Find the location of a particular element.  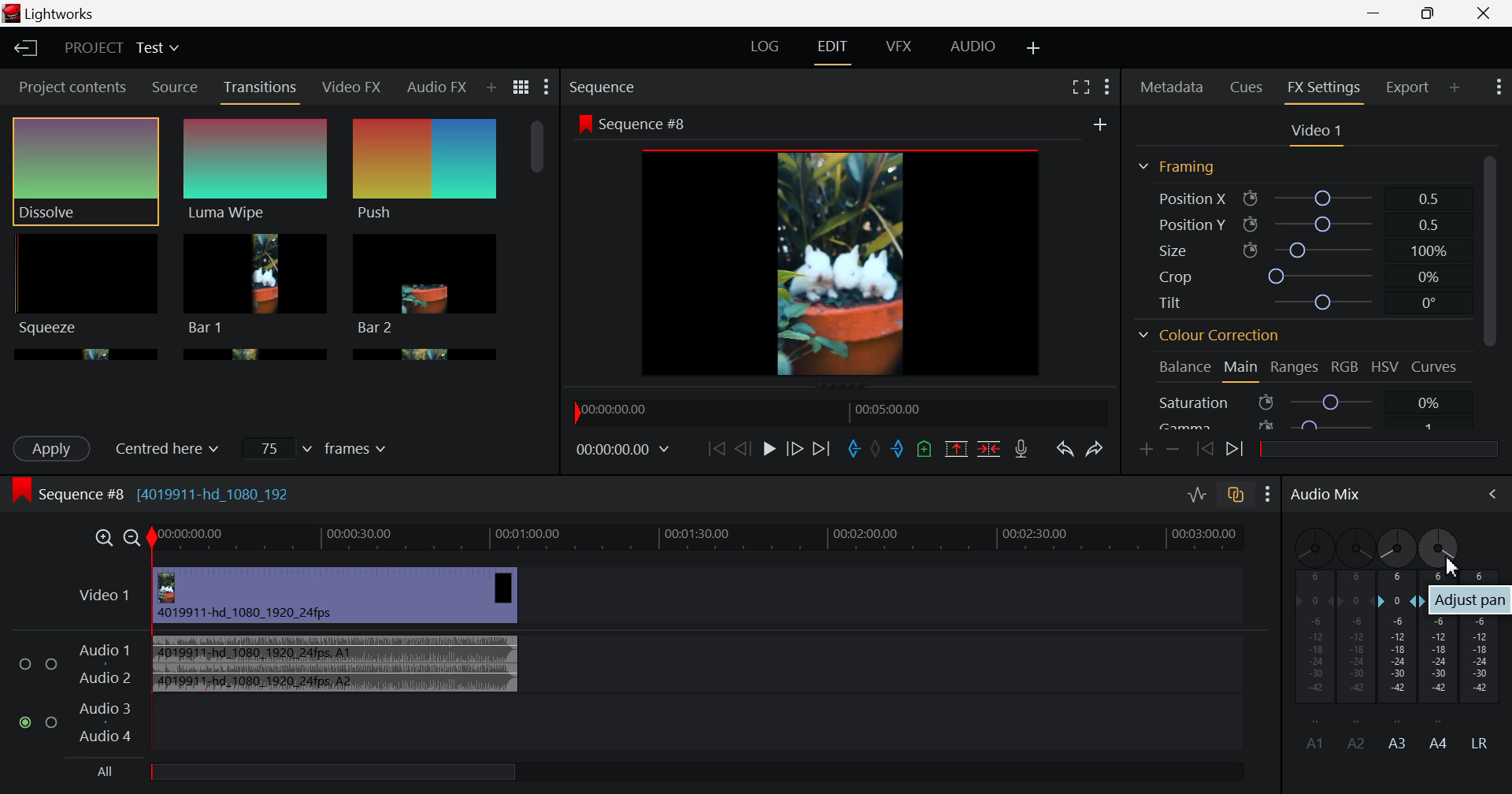

Video Settings is located at coordinates (1317, 135).